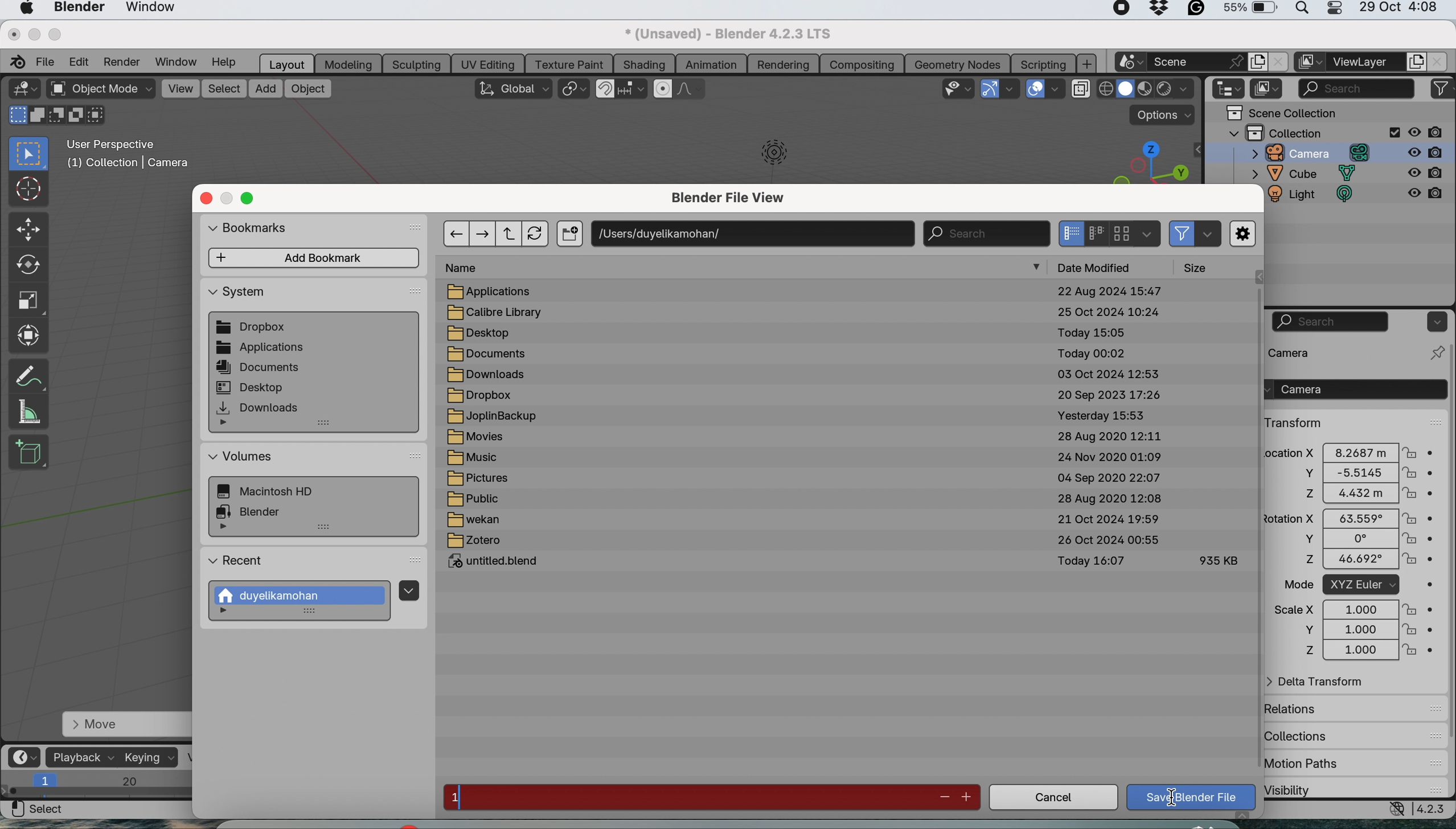 This screenshot has height=829, width=1456. Describe the element at coordinates (1306, 733) in the screenshot. I see `collections` at that location.